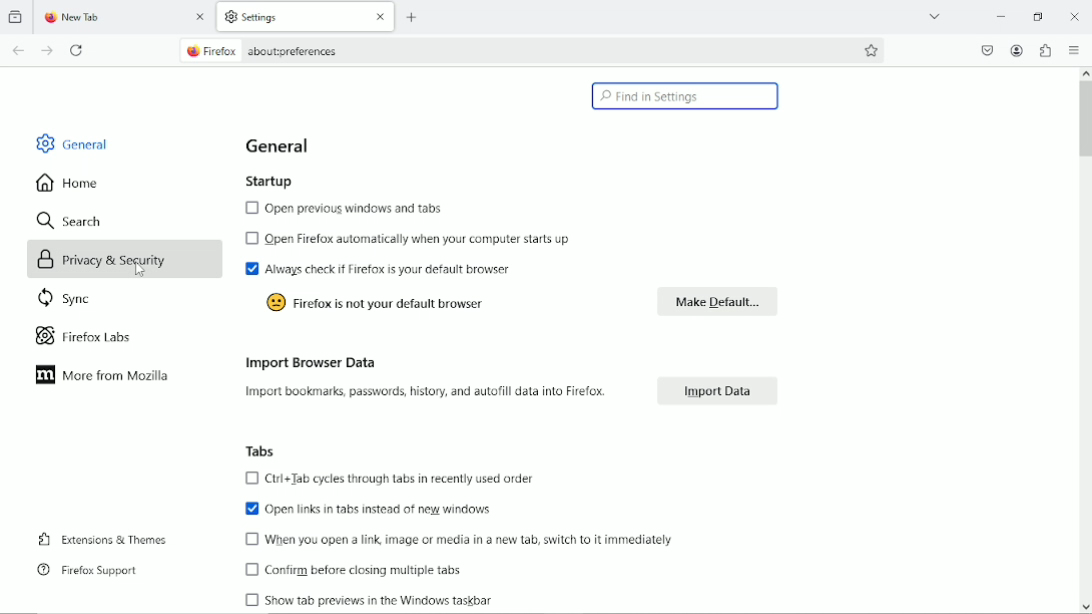 The image size is (1092, 614). What do you see at coordinates (370, 570) in the screenshot?
I see `confirm before closing multiple tabs` at bounding box center [370, 570].